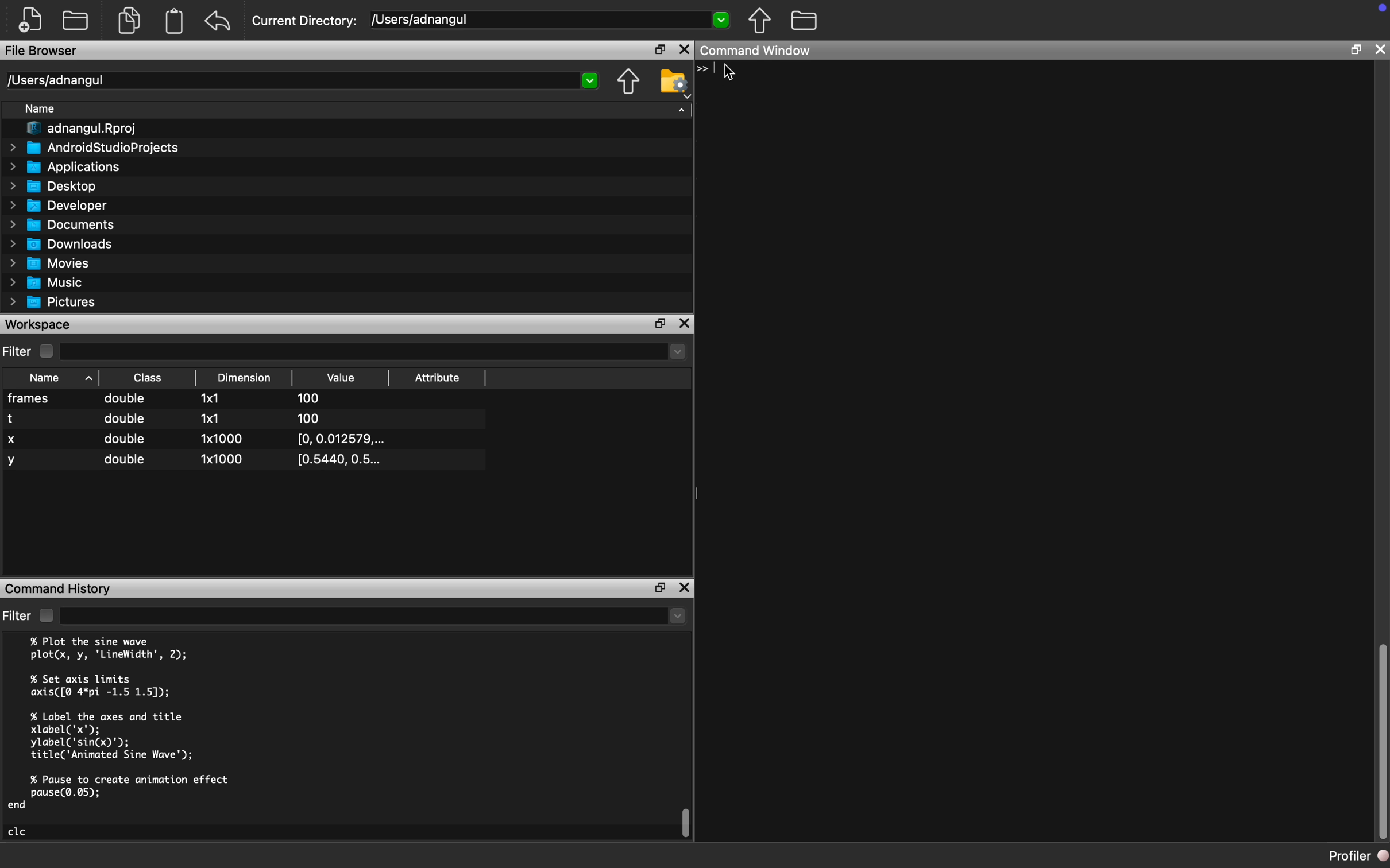 This screenshot has height=868, width=1390. What do you see at coordinates (40, 325) in the screenshot?
I see `Workspace` at bounding box center [40, 325].